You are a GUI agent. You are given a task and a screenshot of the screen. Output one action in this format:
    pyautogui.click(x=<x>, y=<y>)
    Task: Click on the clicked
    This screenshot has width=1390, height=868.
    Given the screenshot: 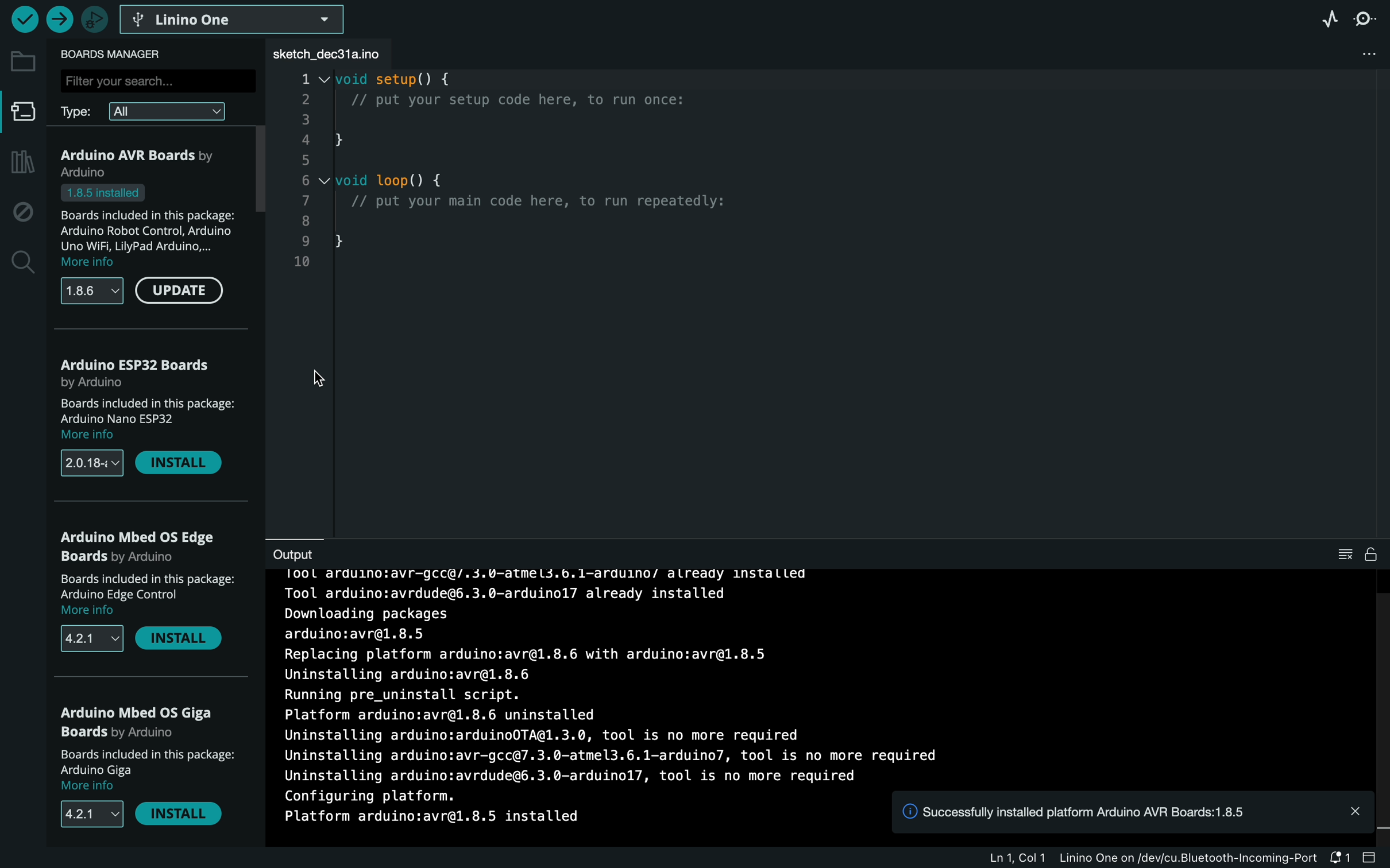 What is the action you would take?
    pyautogui.click(x=179, y=293)
    